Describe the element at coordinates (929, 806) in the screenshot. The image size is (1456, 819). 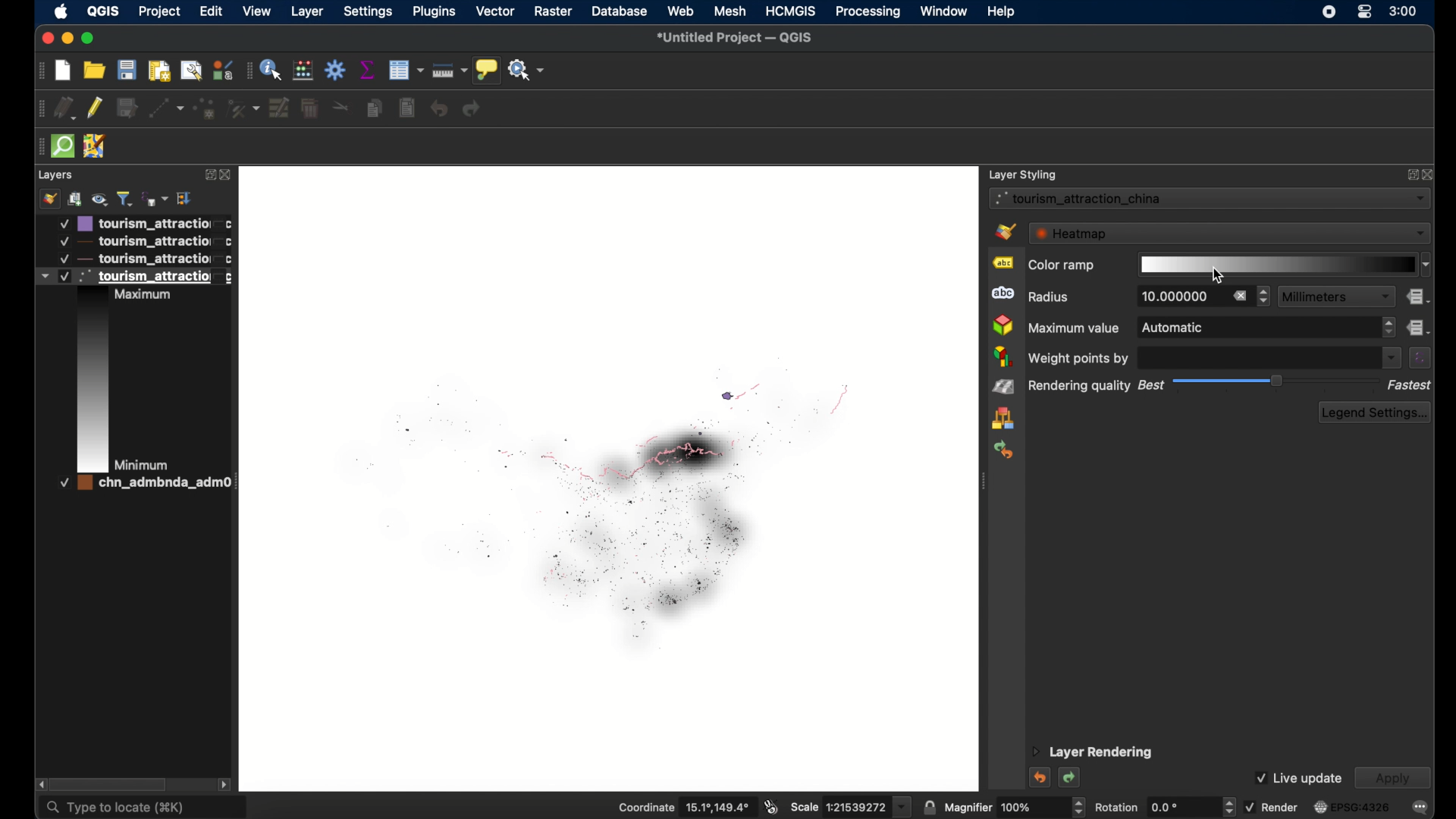
I see `lock scale` at that location.